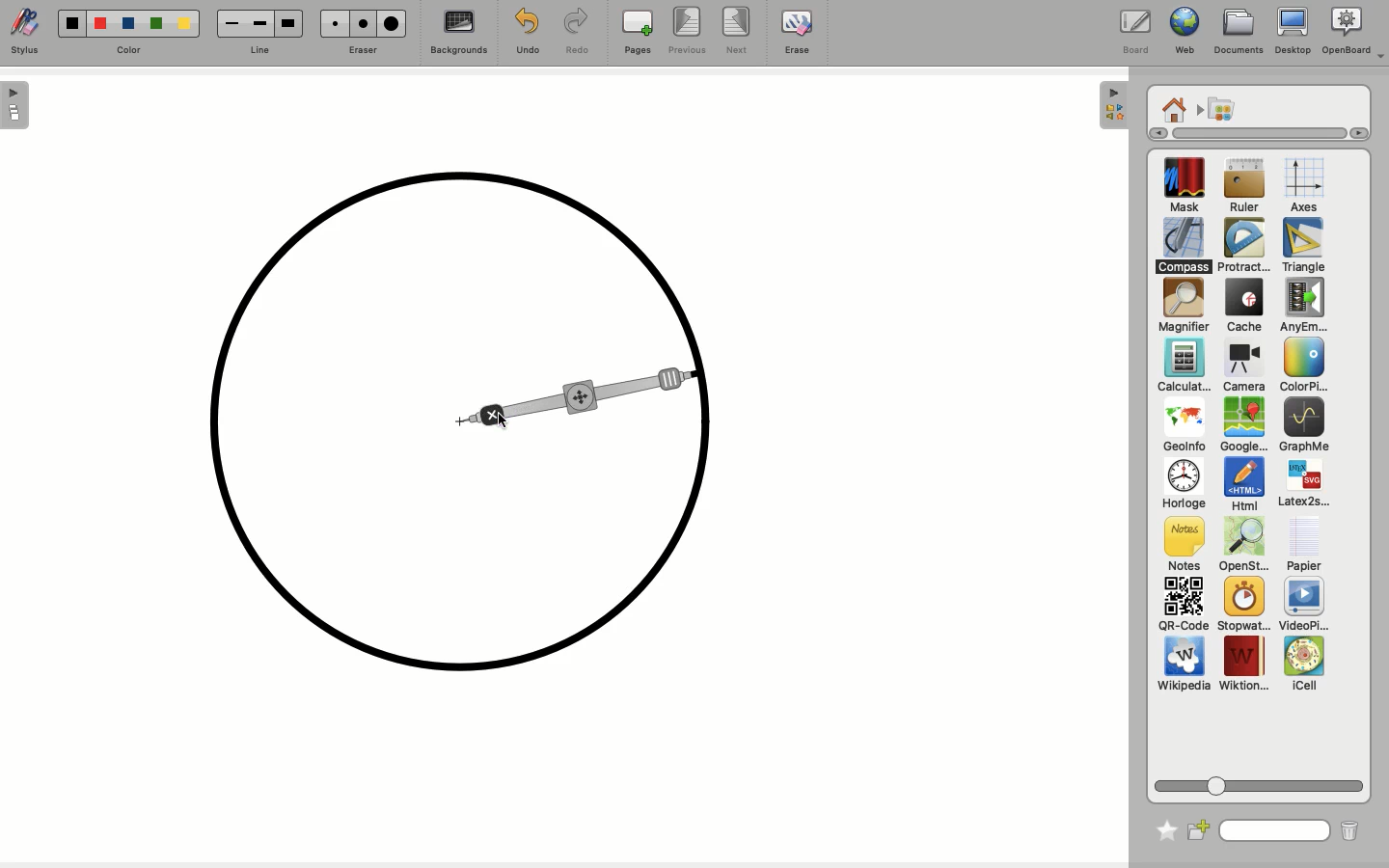  What do you see at coordinates (796, 31) in the screenshot?
I see `Erase` at bounding box center [796, 31].